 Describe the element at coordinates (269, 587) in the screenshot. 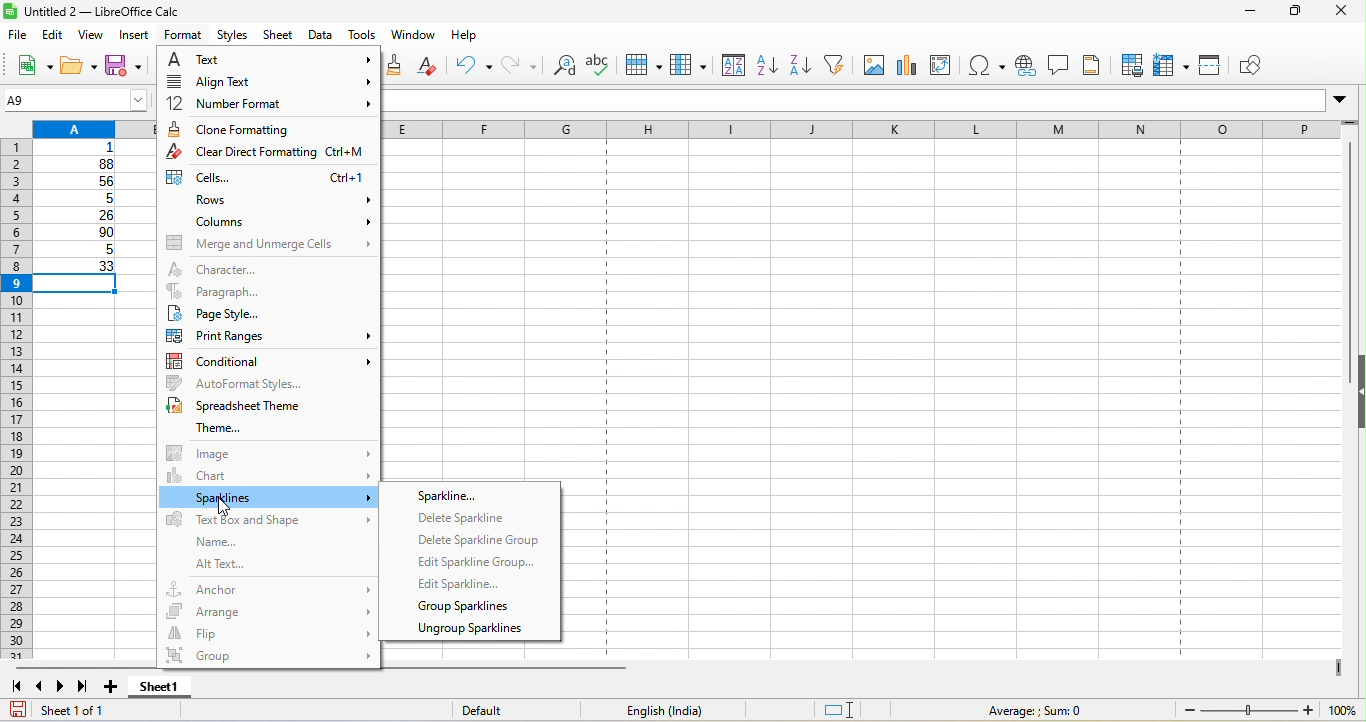

I see `anchor` at that location.